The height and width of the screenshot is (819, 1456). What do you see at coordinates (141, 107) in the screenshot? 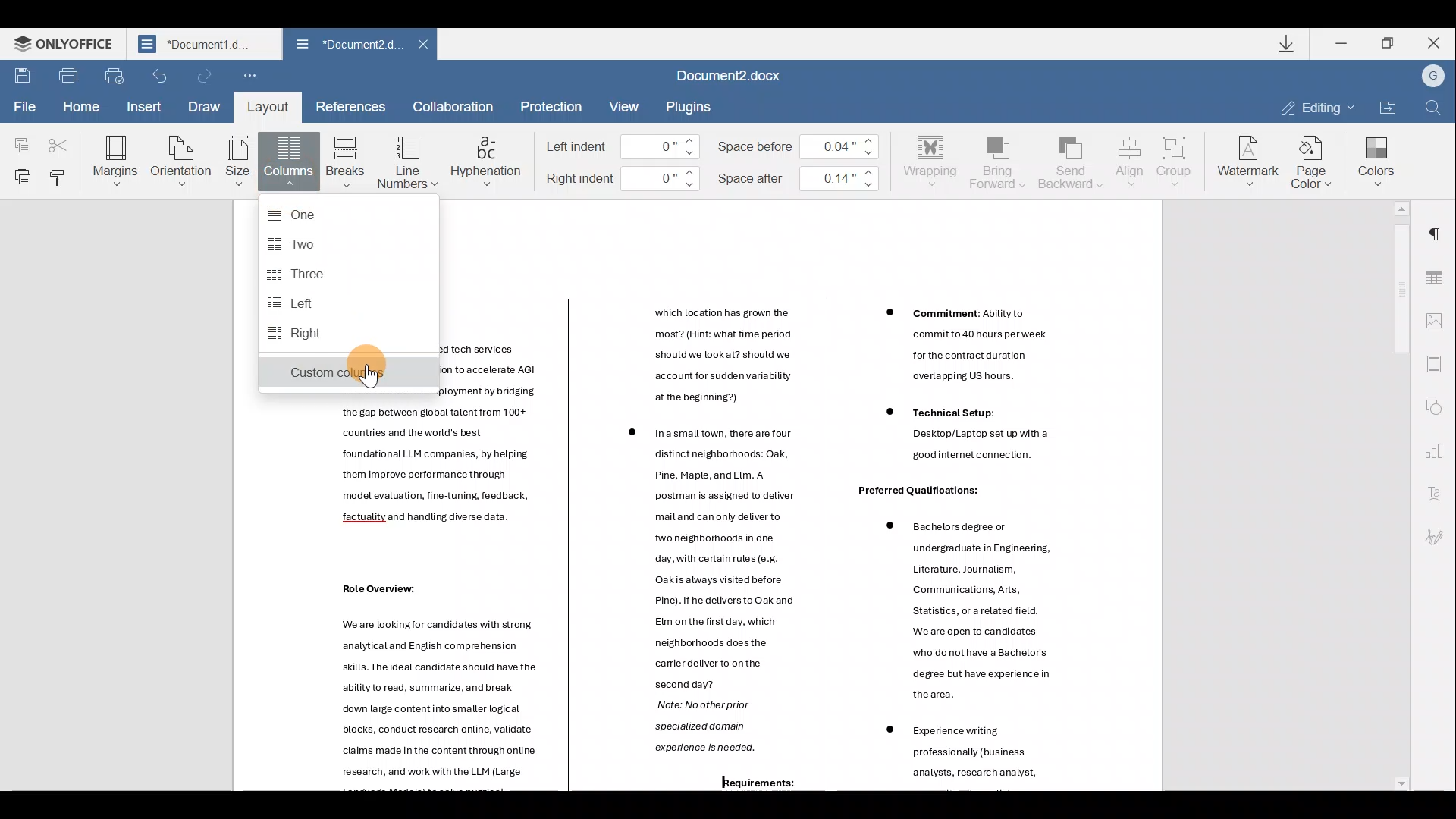
I see `Insert` at bounding box center [141, 107].